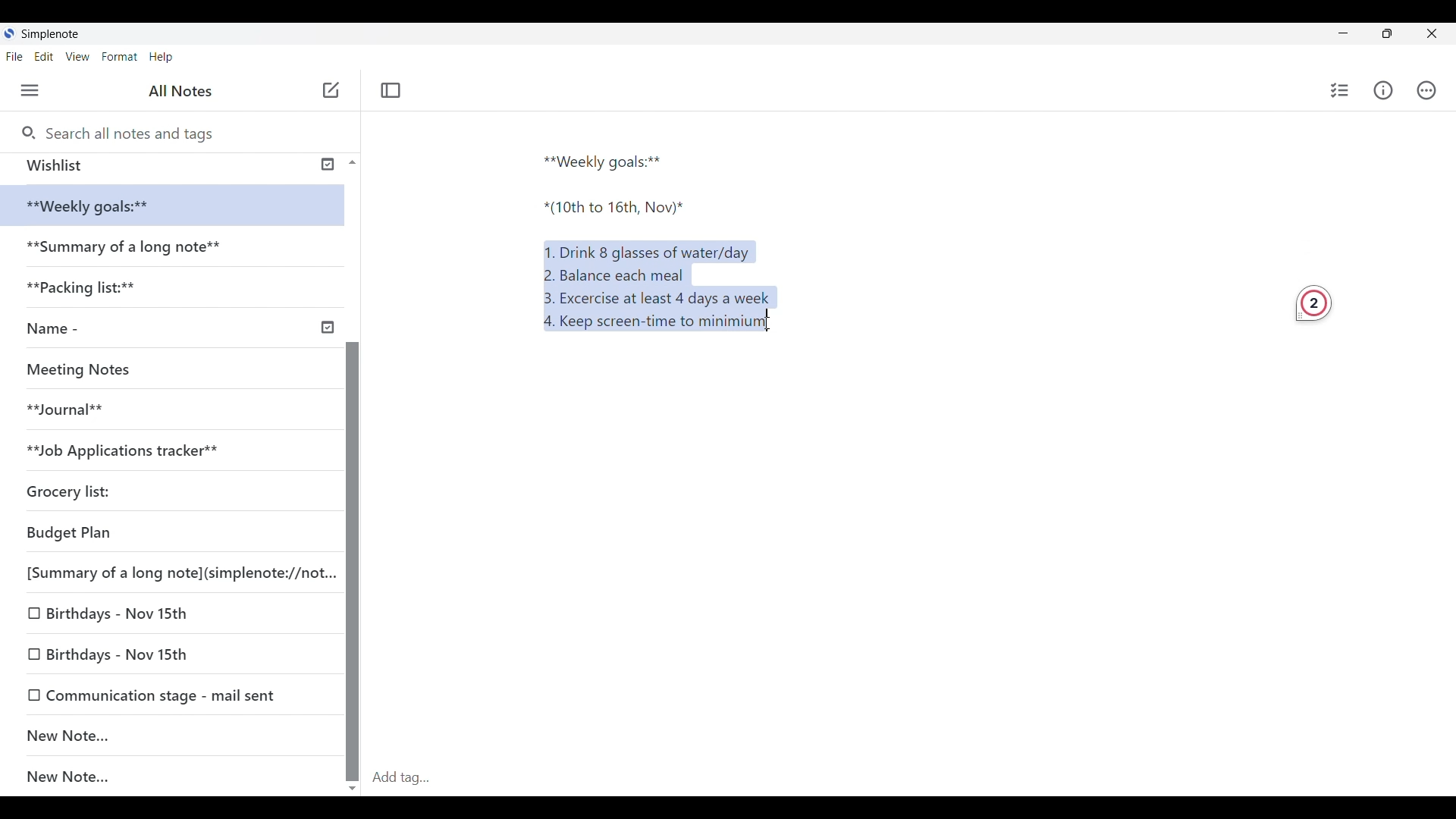 The height and width of the screenshot is (819, 1456). I want to click on 1. Drink 8 glasses of water/day, so click(651, 249).